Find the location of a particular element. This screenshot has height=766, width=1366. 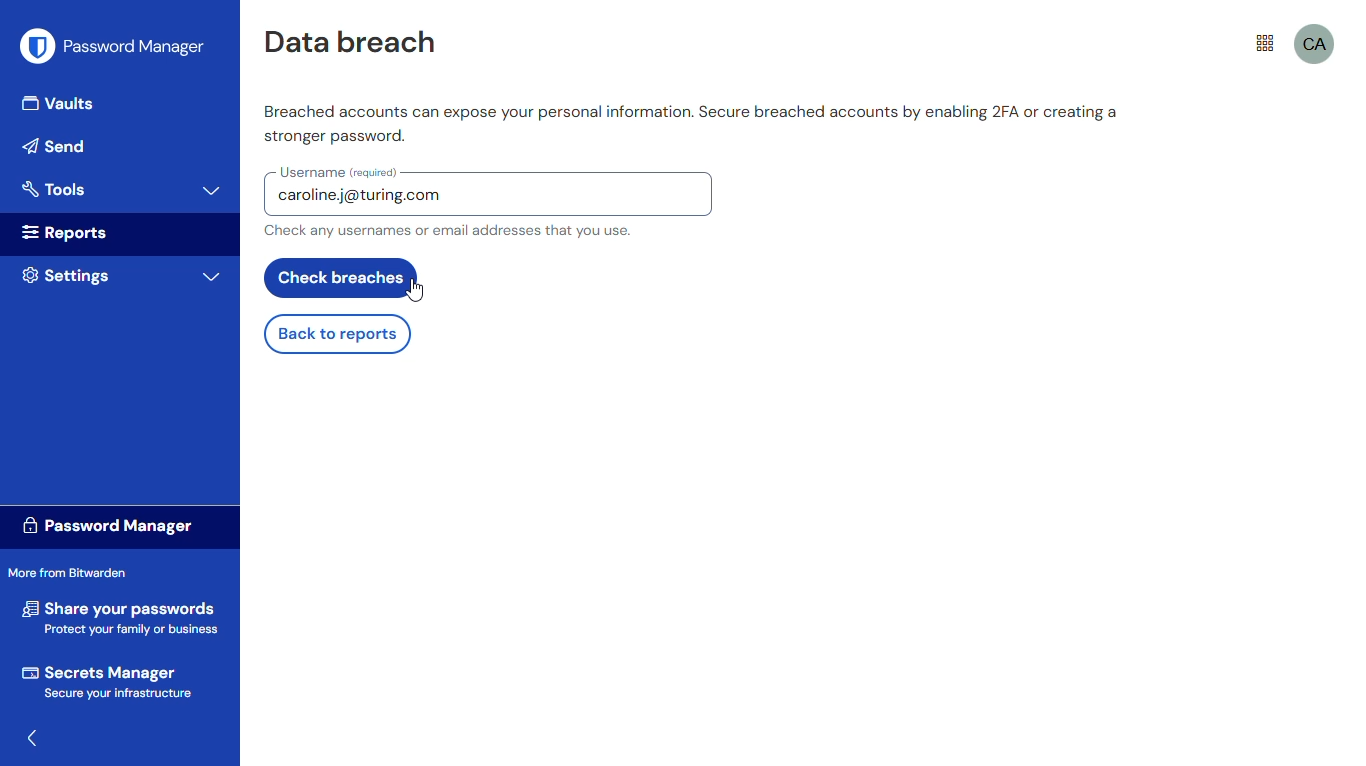

reports is located at coordinates (67, 233).